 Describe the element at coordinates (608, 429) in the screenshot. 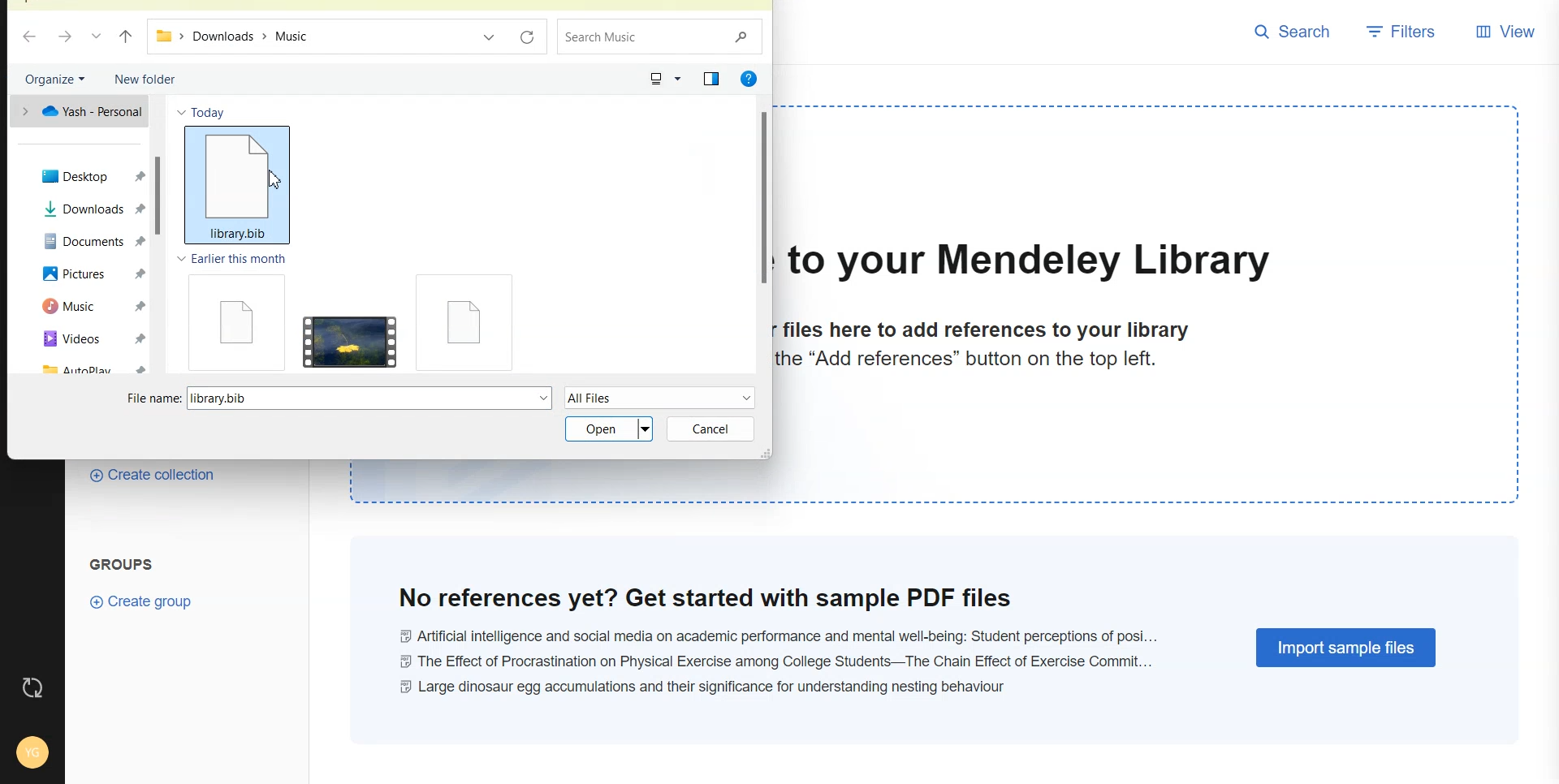

I see `Open` at that location.